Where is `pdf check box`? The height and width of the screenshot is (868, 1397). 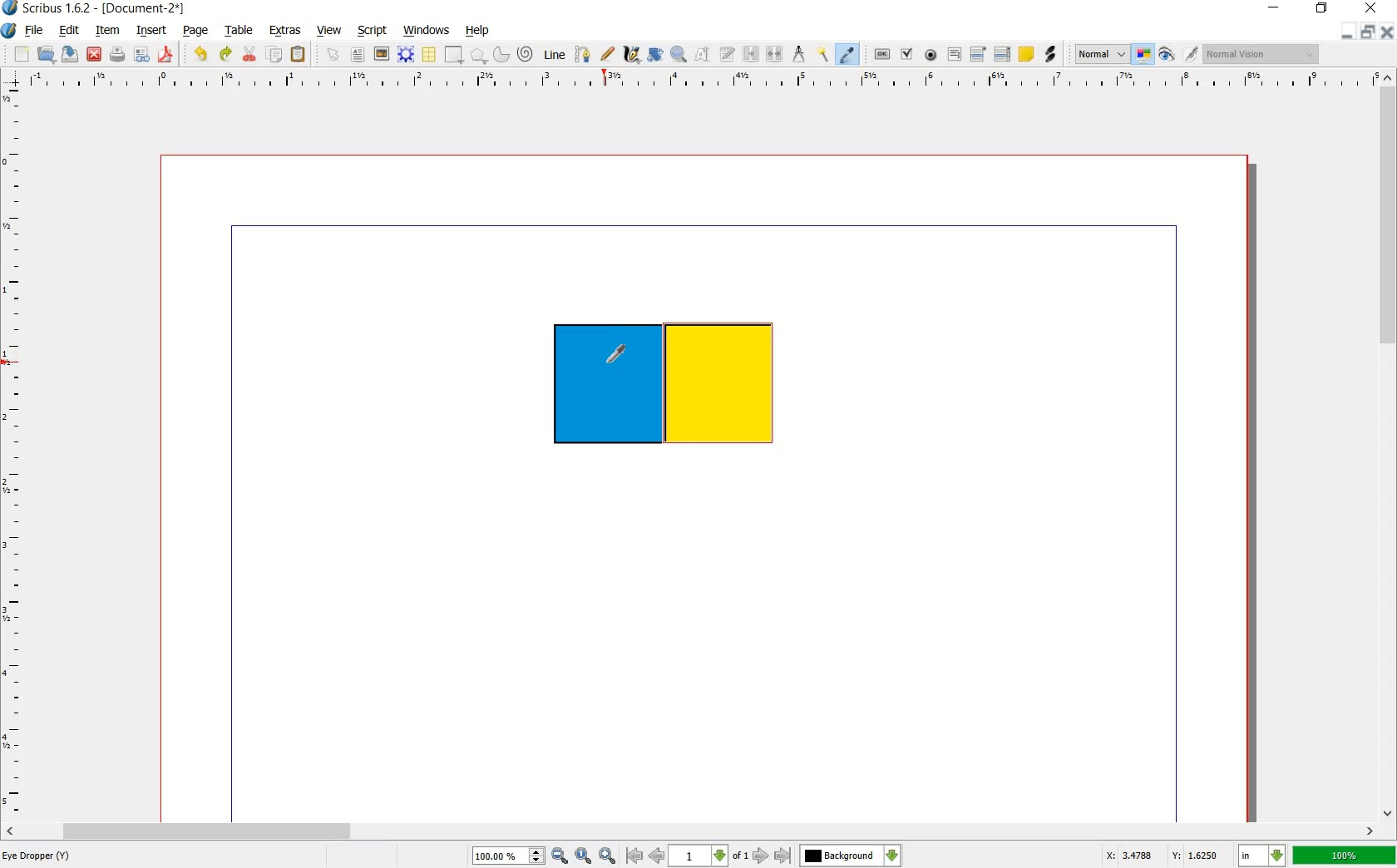 pdf check box is located at coordinates (906, 54).